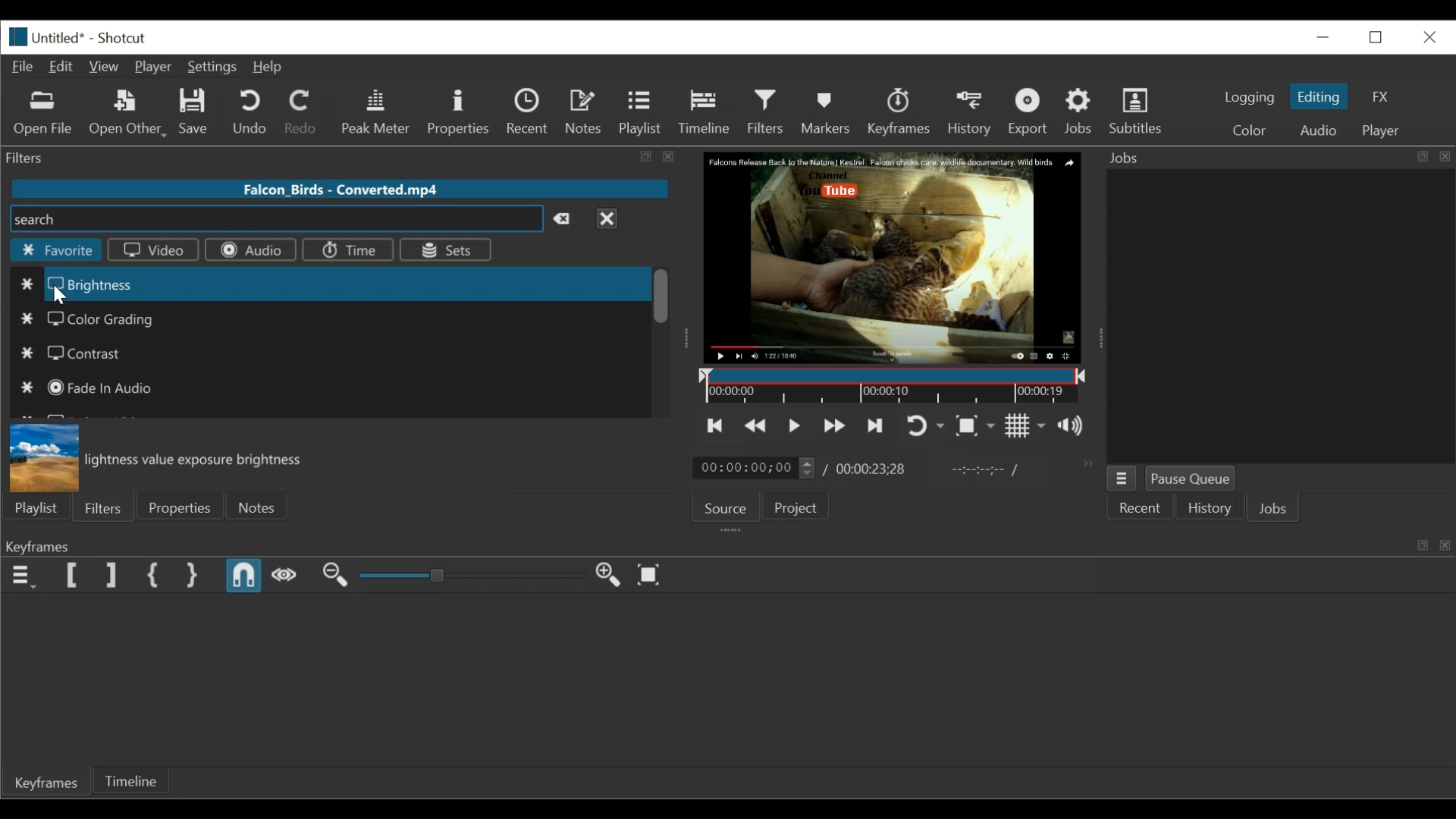  Describe the element at coordinates (1376, 37) in the screenshot. I see `minimize` at that location.